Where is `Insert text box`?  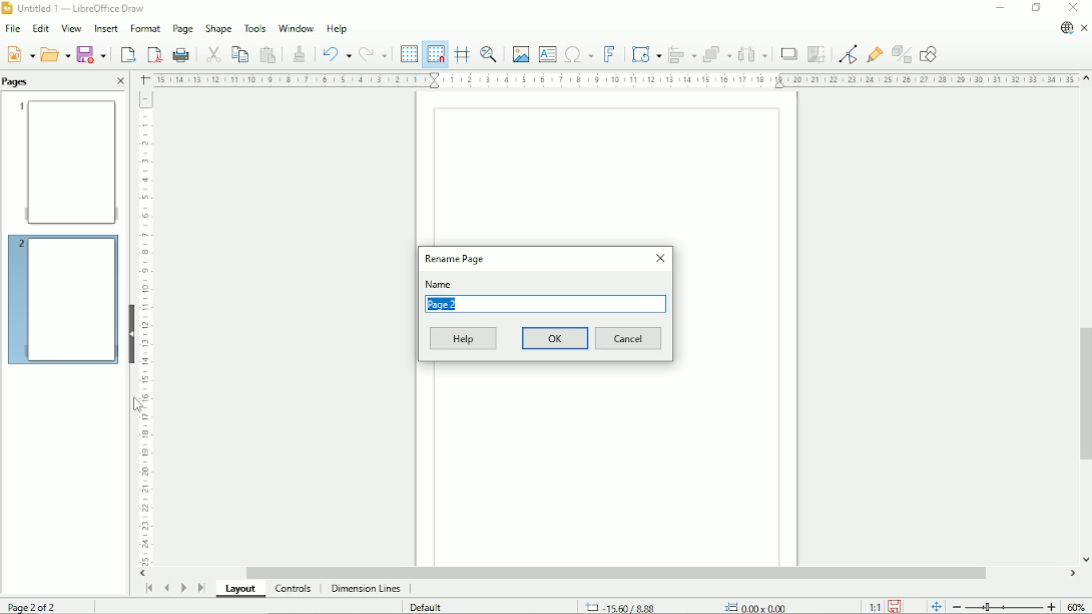 Insert text box is located at coordinates (547, 53).